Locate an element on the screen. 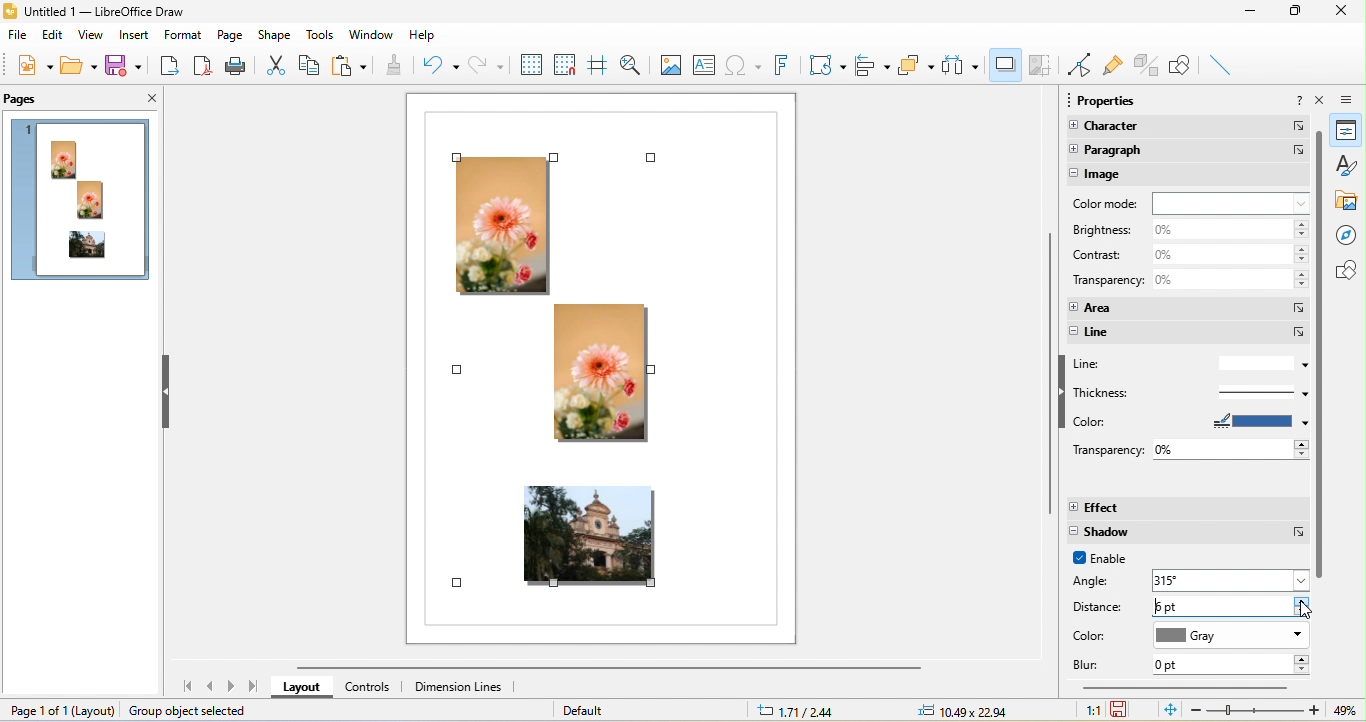  transformation is located at coordinates (826, 63).